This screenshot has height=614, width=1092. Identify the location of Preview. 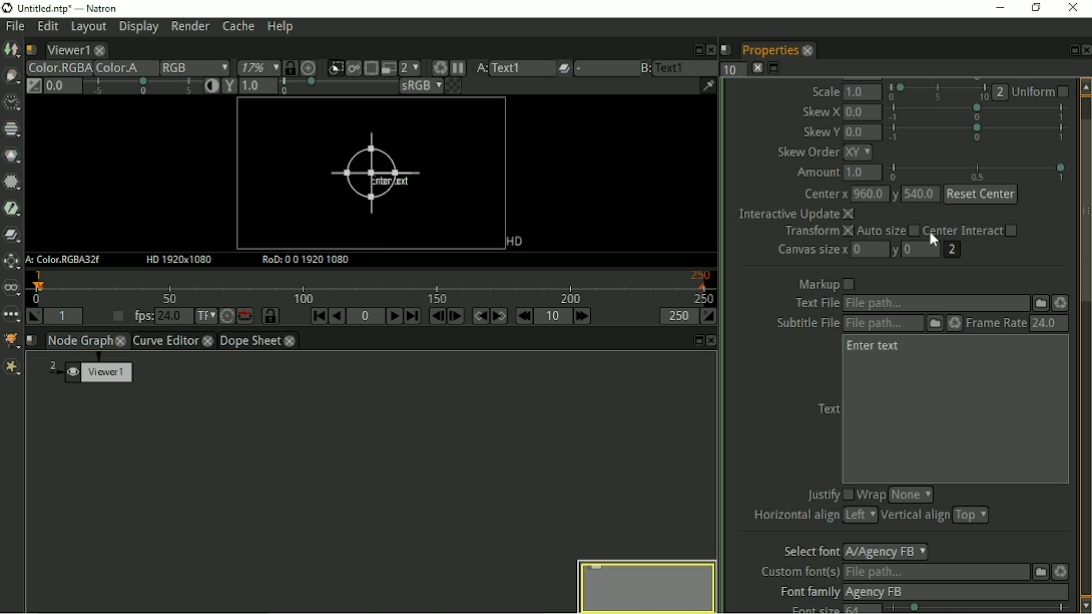
(644, 584).